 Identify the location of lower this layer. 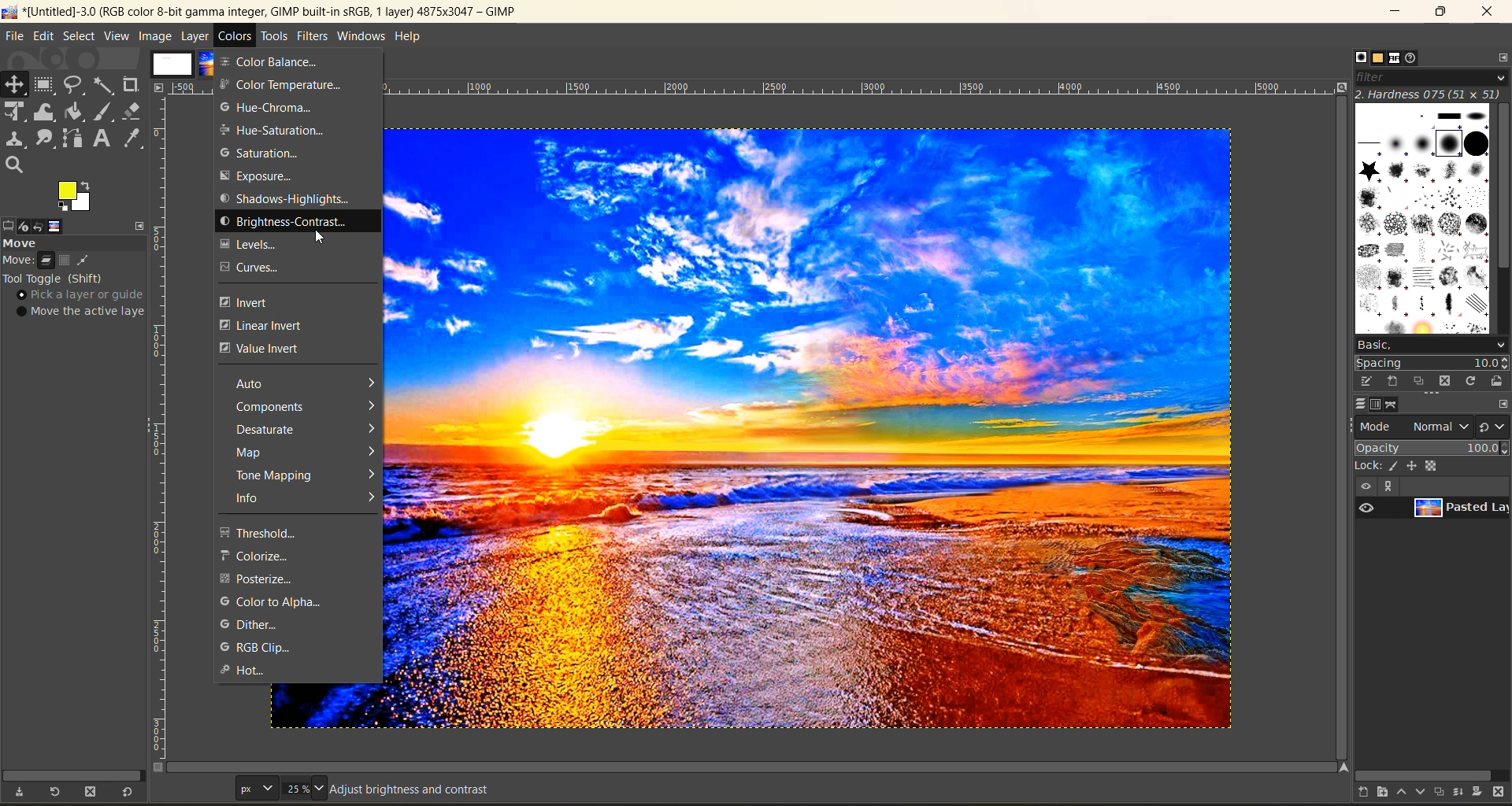
(1422, 793).